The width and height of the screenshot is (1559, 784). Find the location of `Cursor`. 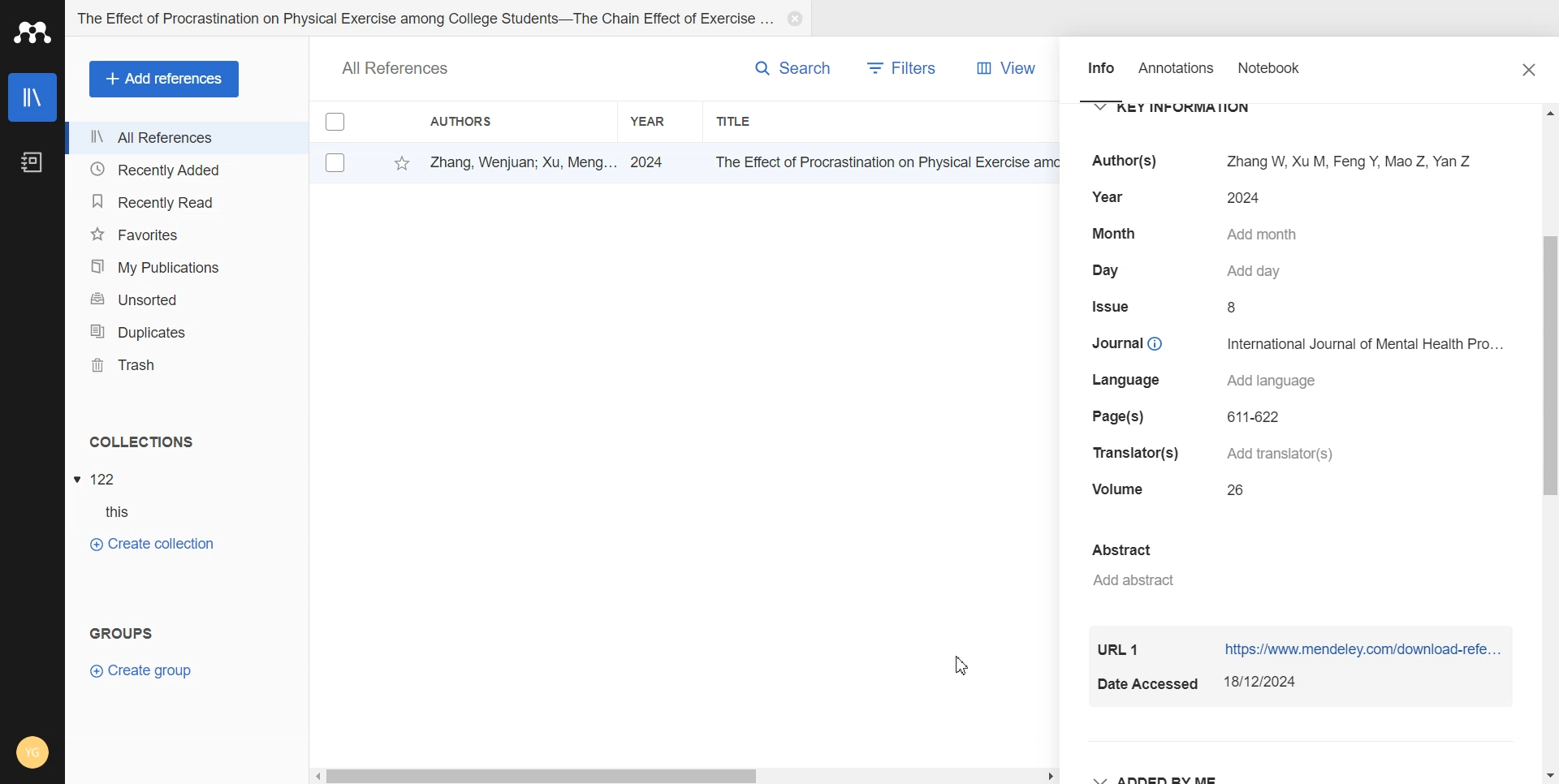

Cursor is located at coordinates (962, 665).